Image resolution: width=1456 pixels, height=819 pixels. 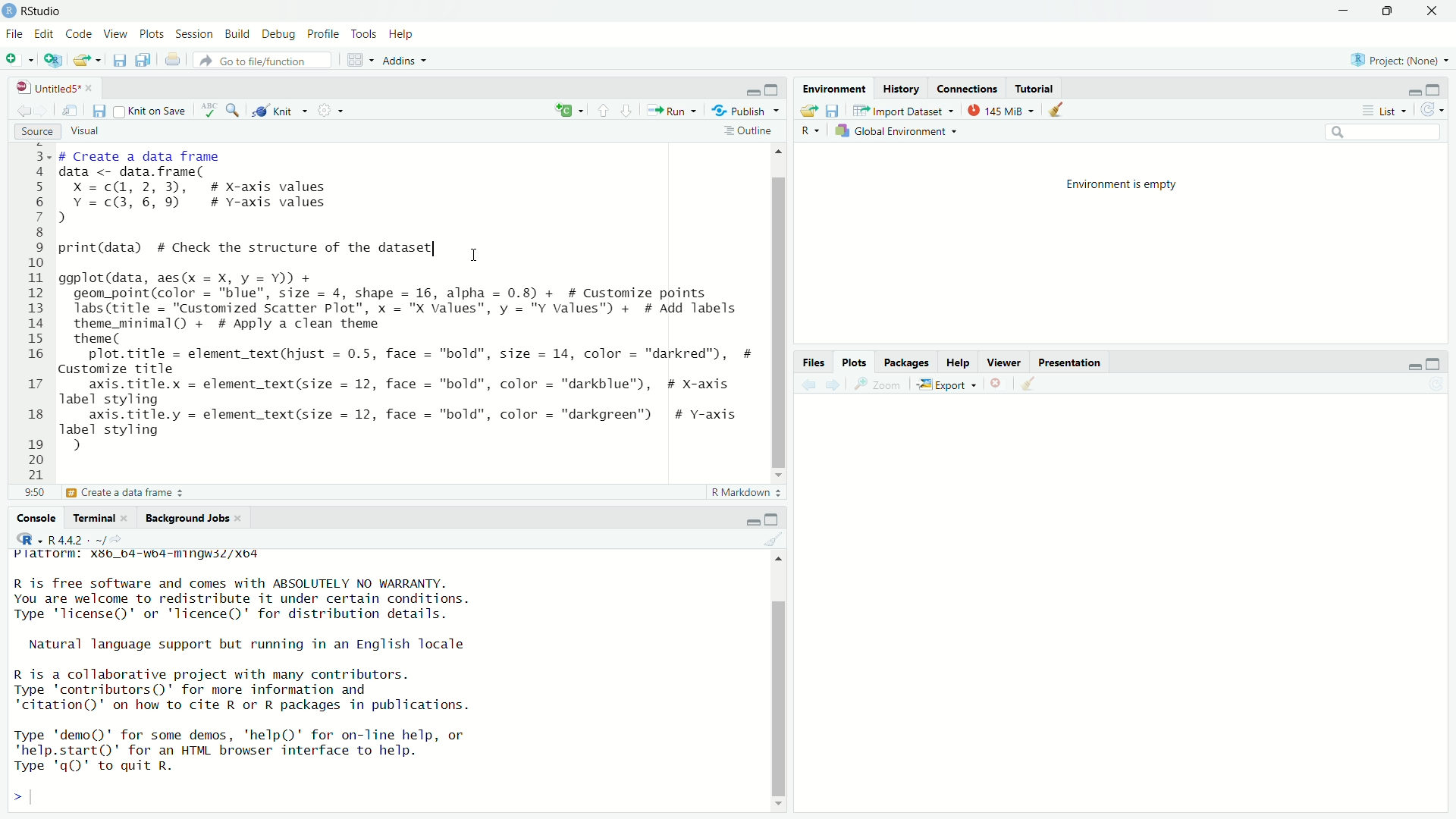 I want to click on Help, so click(x=400, y=33).